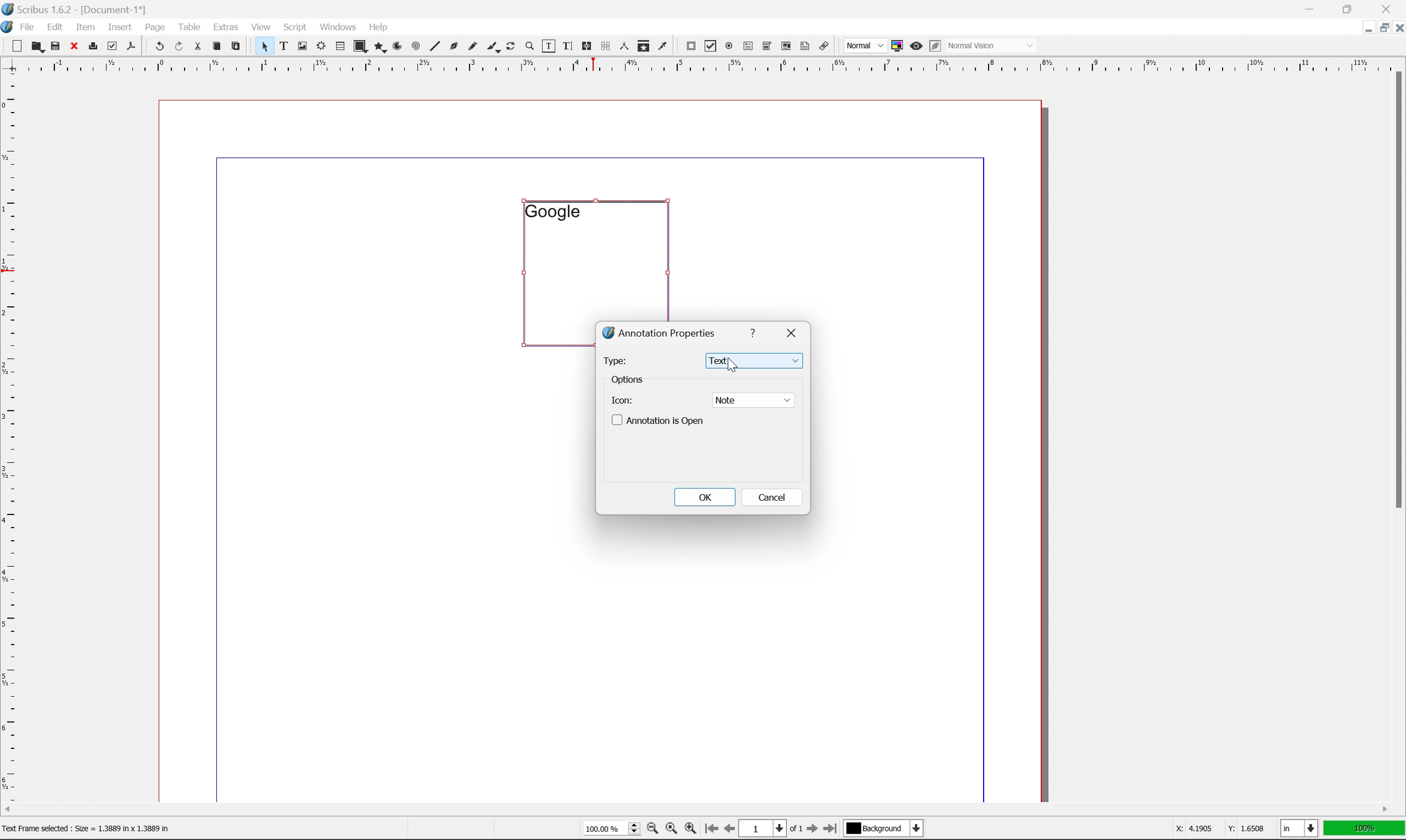 The width and height of the screenshot is (1406, 840). What do you see at coordinates (132, 46) in the screenshot?
I see `save as pdf` at bounding box center [132, 46].